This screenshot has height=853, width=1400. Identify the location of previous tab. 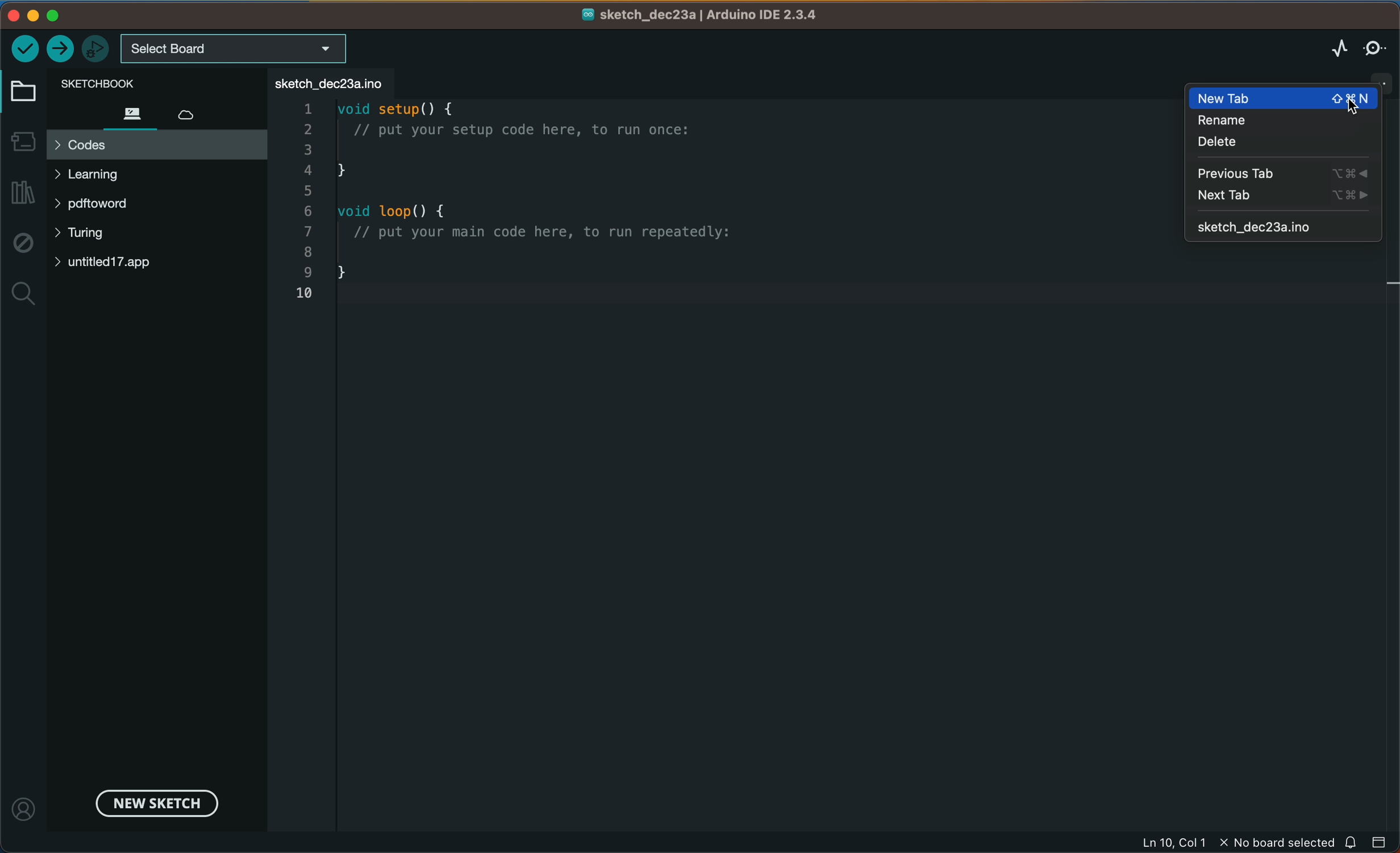
(1284, 173).